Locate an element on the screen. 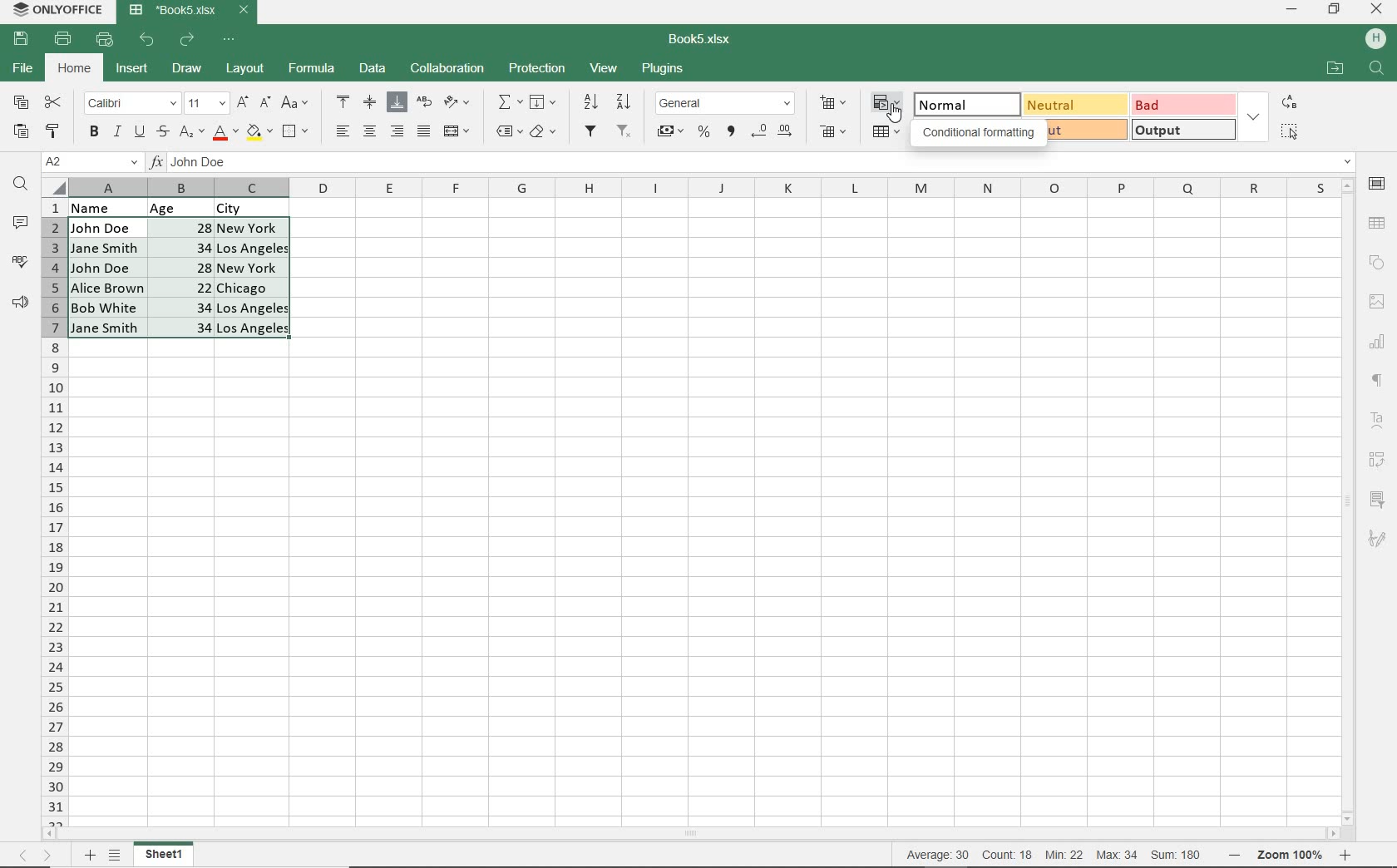 This screenshot has height=868, width=1397. SAVE is located at coordinates (23, 37).